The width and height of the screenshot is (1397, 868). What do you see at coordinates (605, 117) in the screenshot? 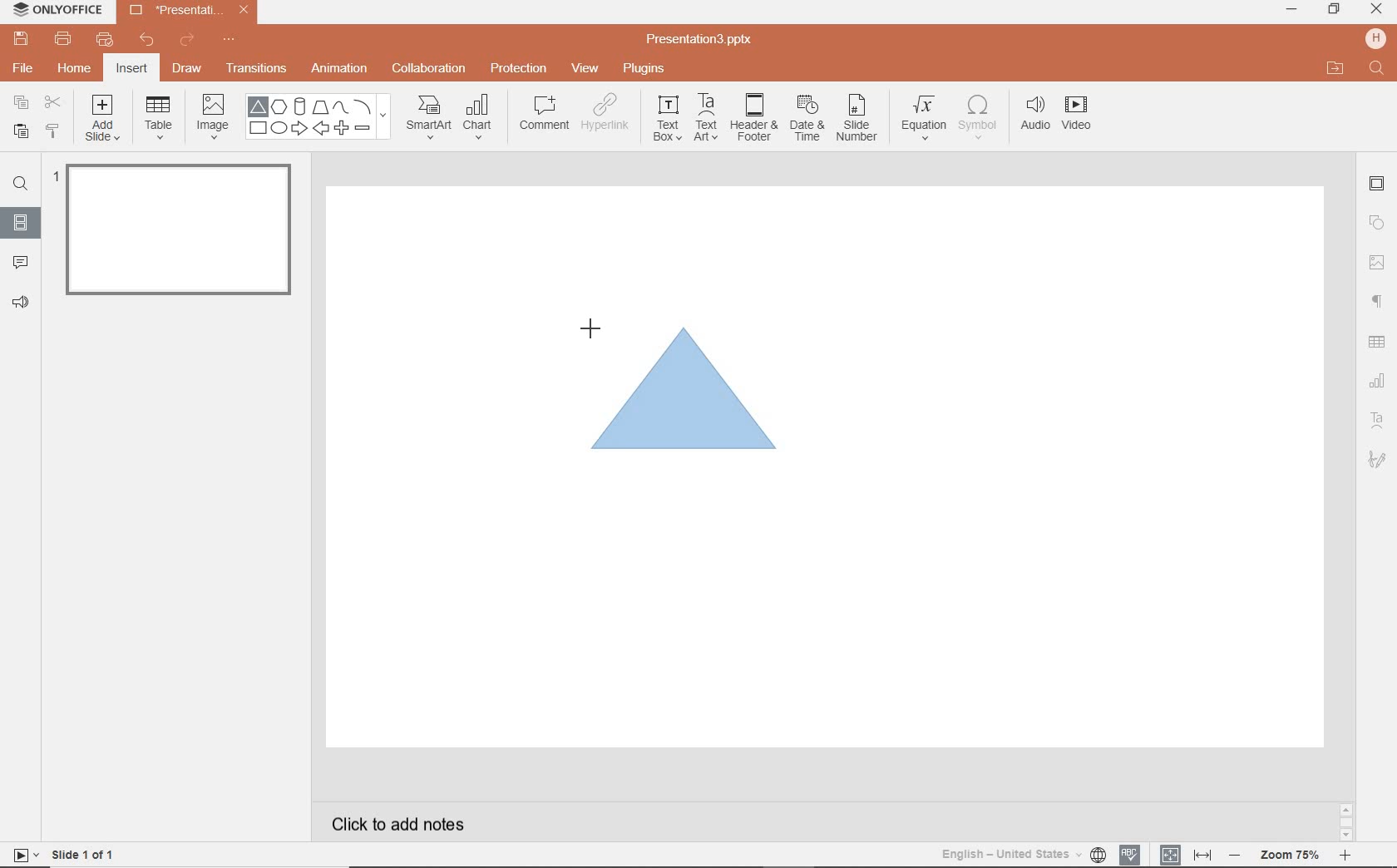
I see `HYPERLINK` at bounding box center [605, 117].